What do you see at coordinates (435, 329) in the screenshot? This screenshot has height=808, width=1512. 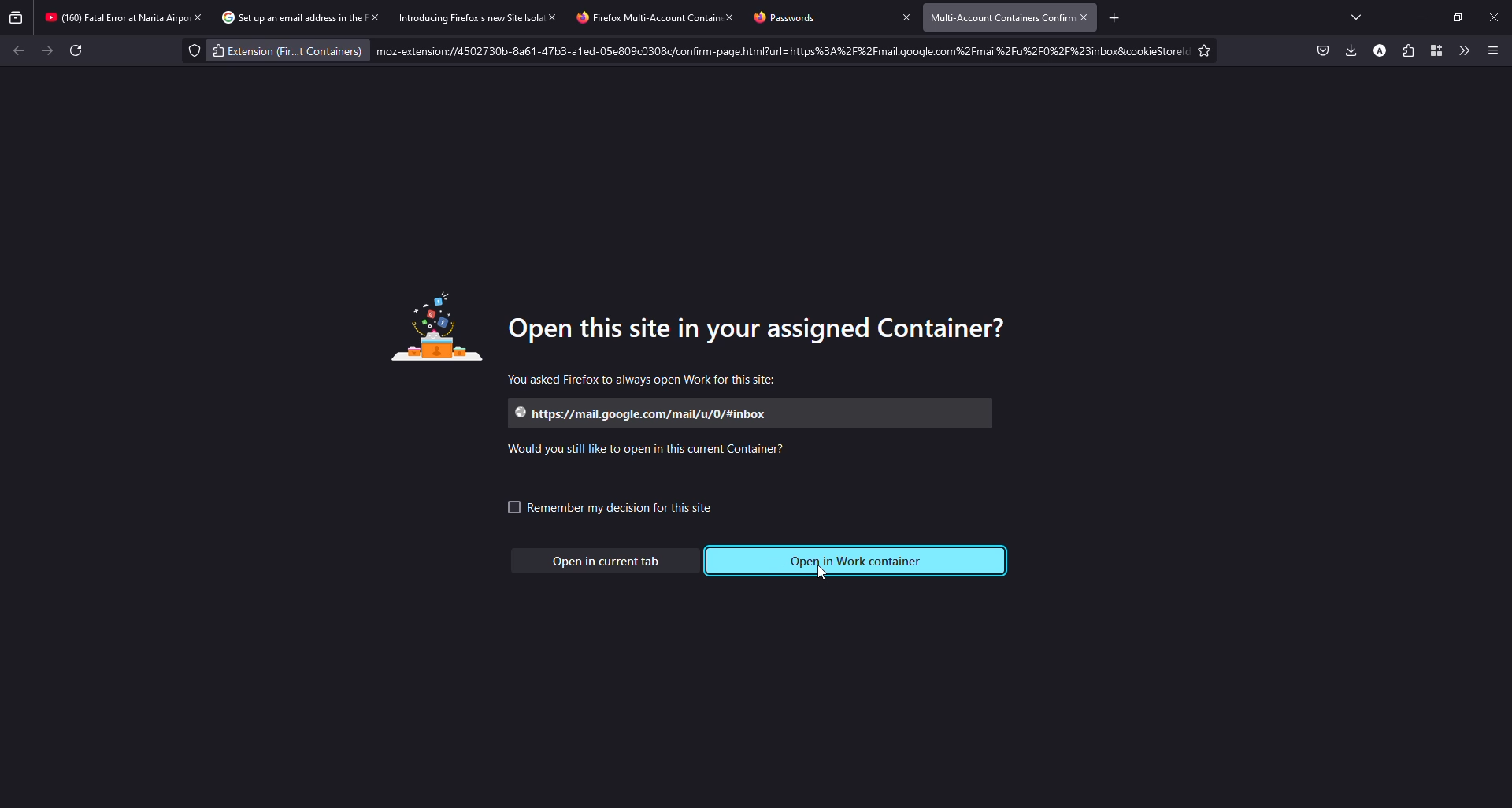 I see `image` at bounding box center [435, 329].